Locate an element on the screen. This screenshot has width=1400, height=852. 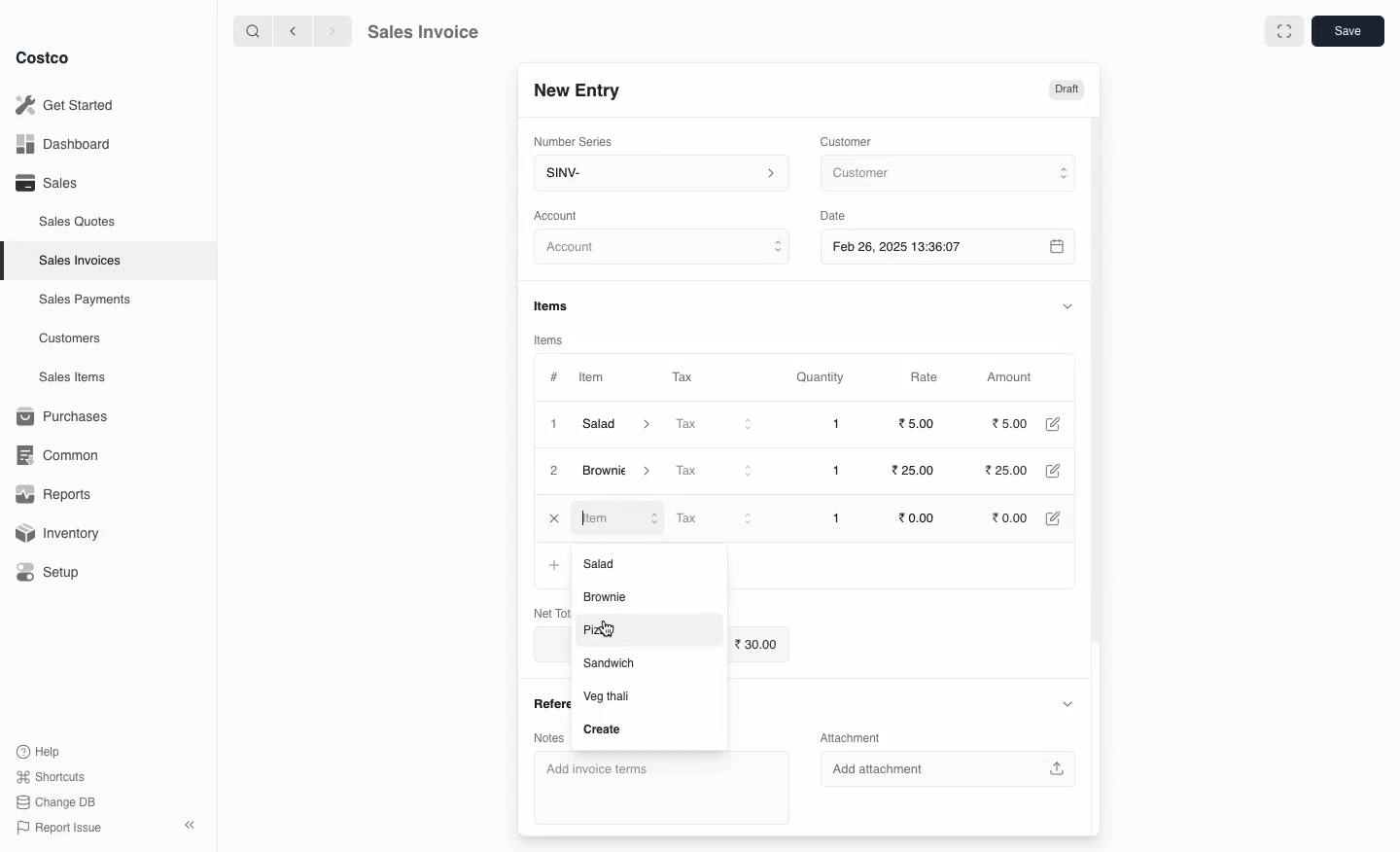
Salad is located at coordinates (617, 424).